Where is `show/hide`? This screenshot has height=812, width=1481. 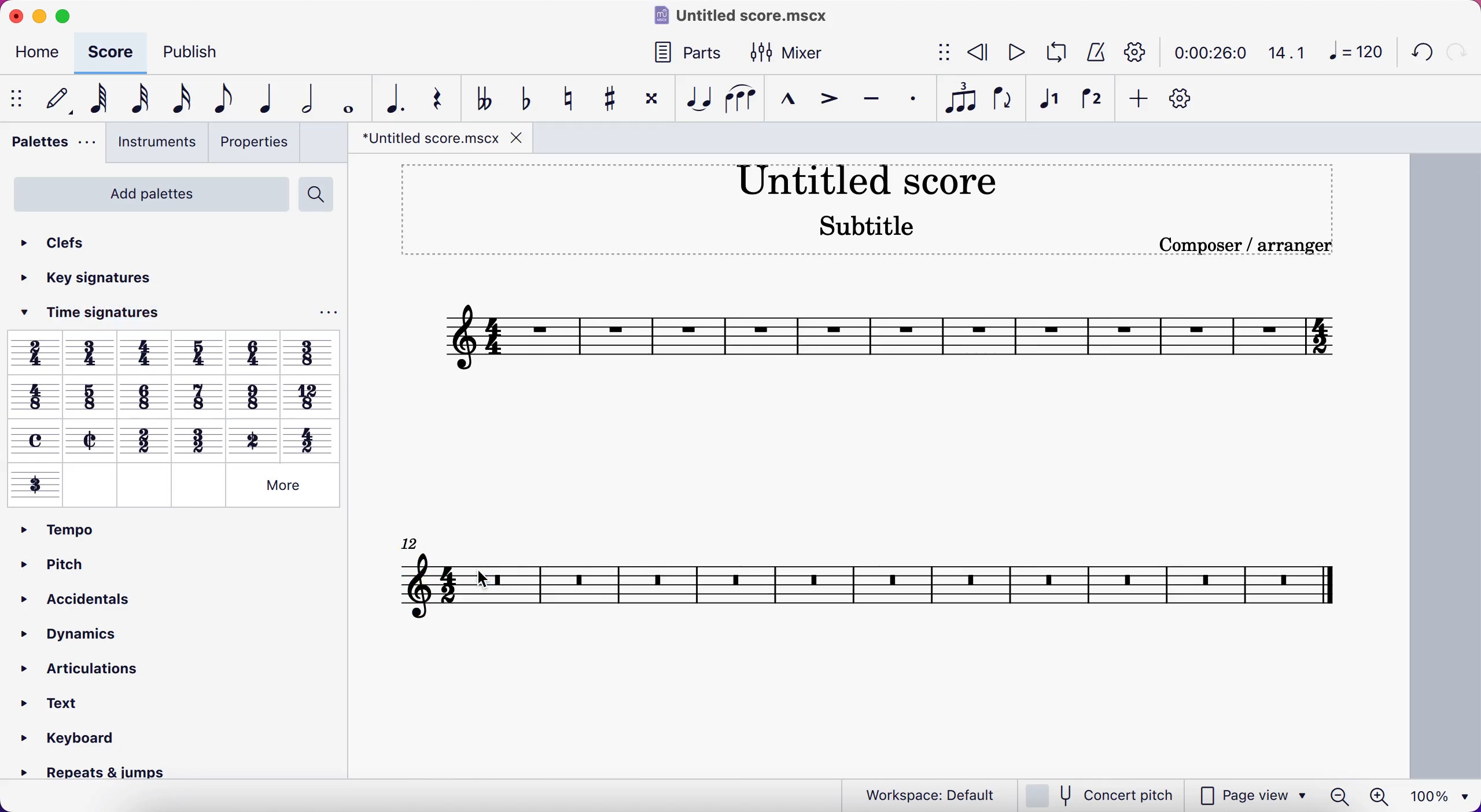 show/hide is located at coordinates (19, 97).